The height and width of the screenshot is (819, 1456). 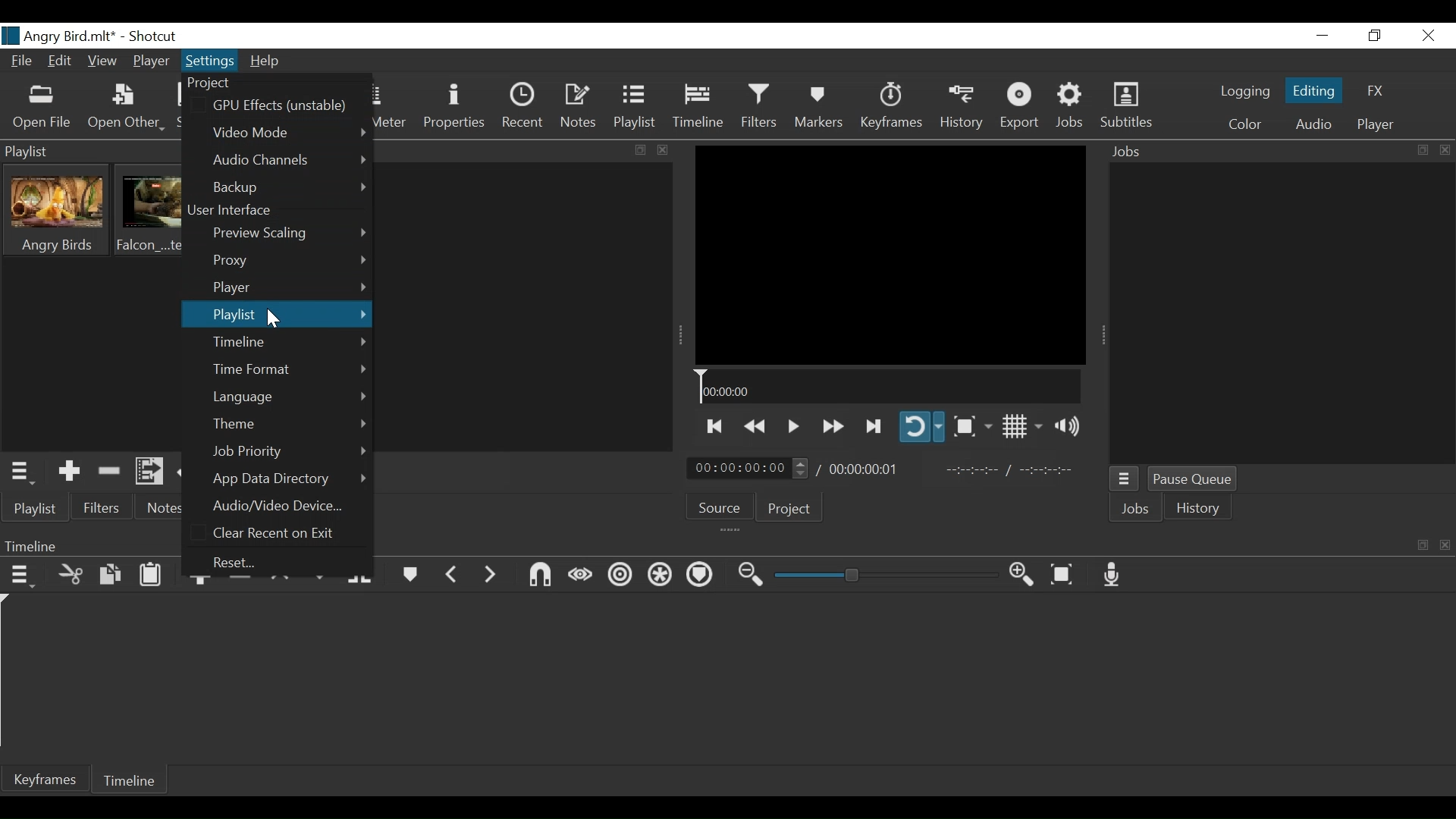 What do you see at coordinates (60, 35) in the screenshot?
I see `File name` at bounding box center [60, 35].